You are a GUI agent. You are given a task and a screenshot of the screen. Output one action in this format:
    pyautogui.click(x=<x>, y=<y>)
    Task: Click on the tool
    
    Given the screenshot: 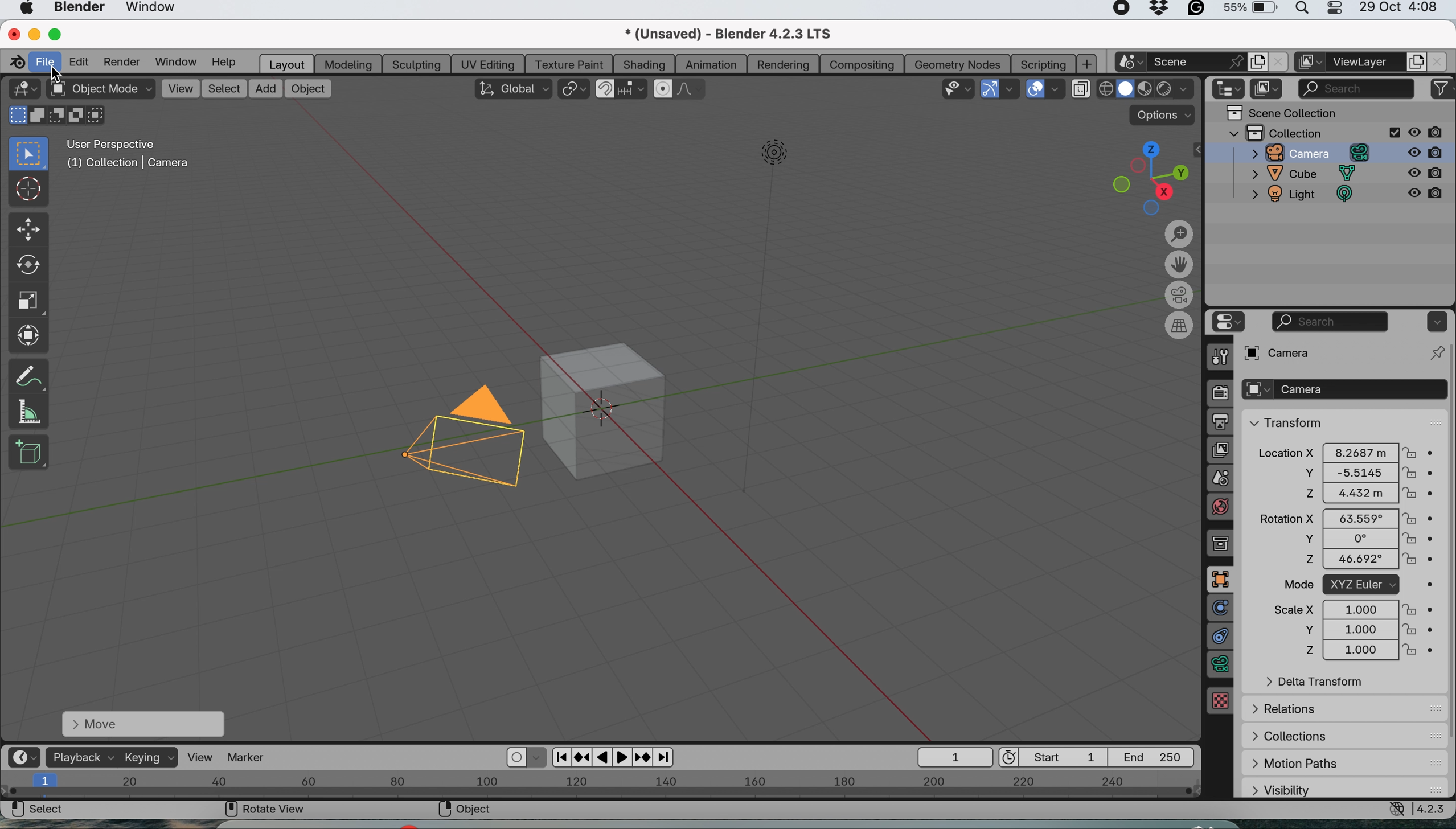 What is the action you would take?
    pyautogui.click(x=1215, y=357)
    